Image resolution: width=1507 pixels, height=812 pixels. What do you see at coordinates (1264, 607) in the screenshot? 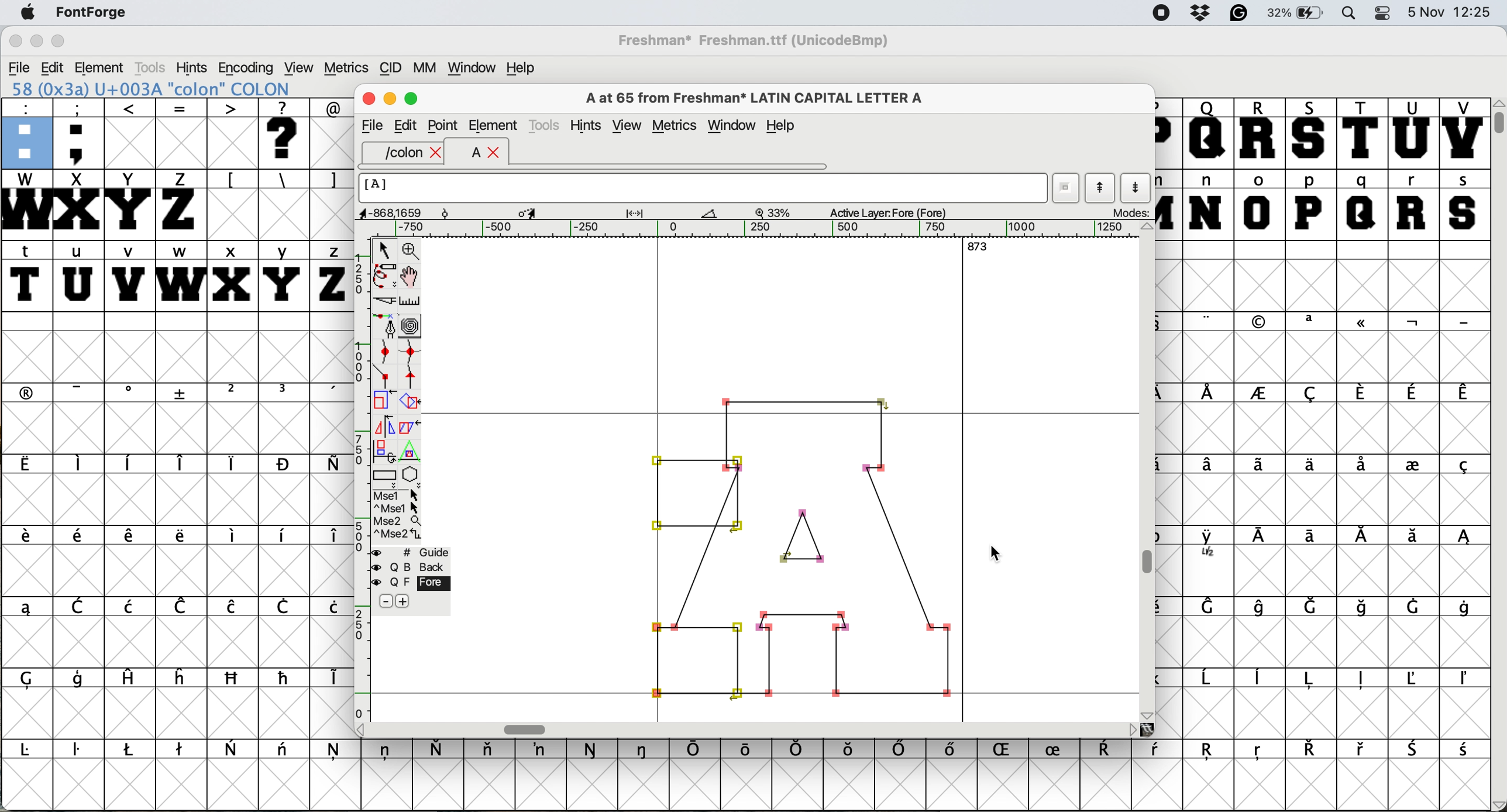
I see `symbol` at bounding box center [1264, 607].